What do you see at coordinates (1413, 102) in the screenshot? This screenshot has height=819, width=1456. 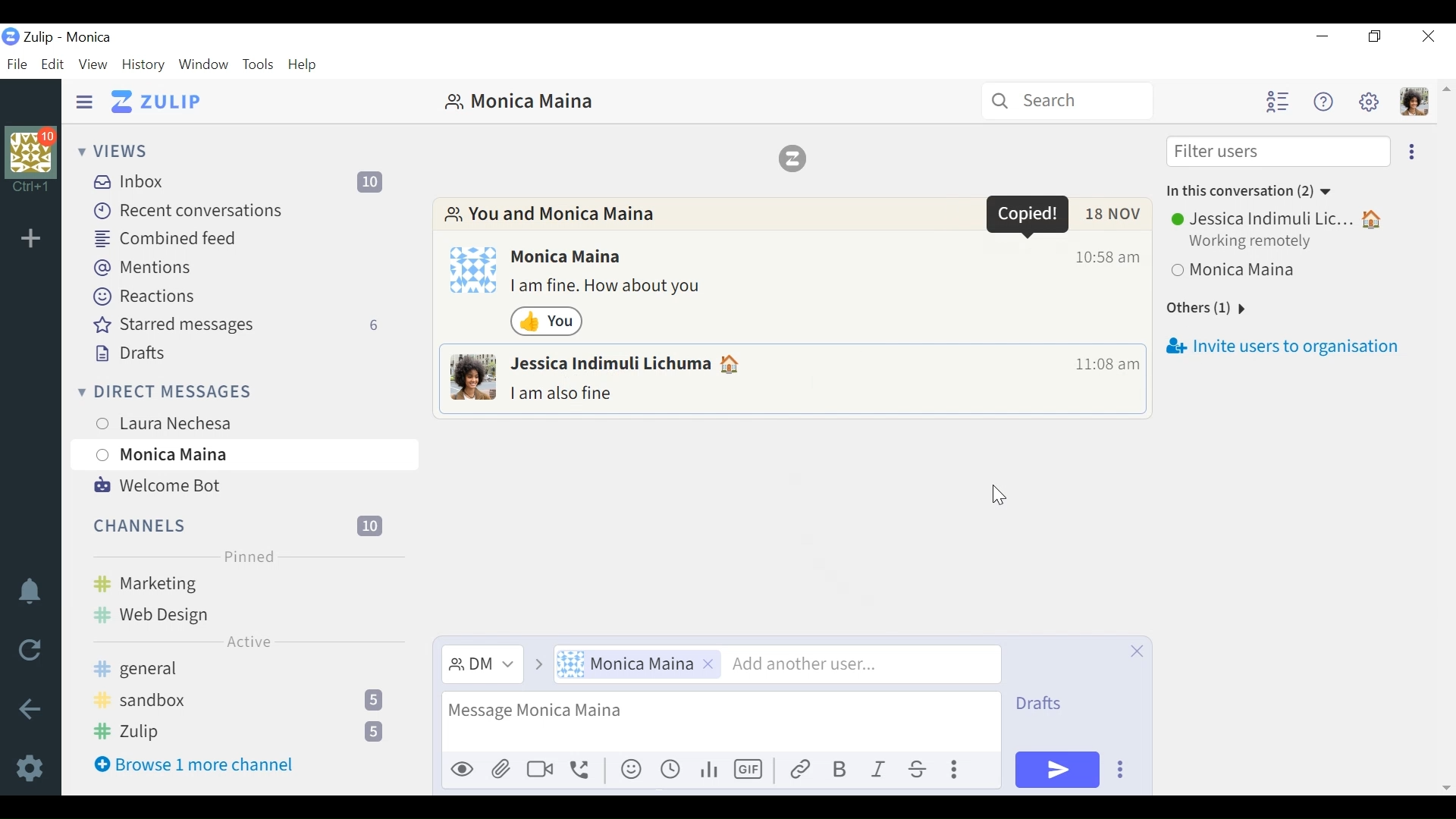 I see `Personal menu` at bounding box center [1413, 102].